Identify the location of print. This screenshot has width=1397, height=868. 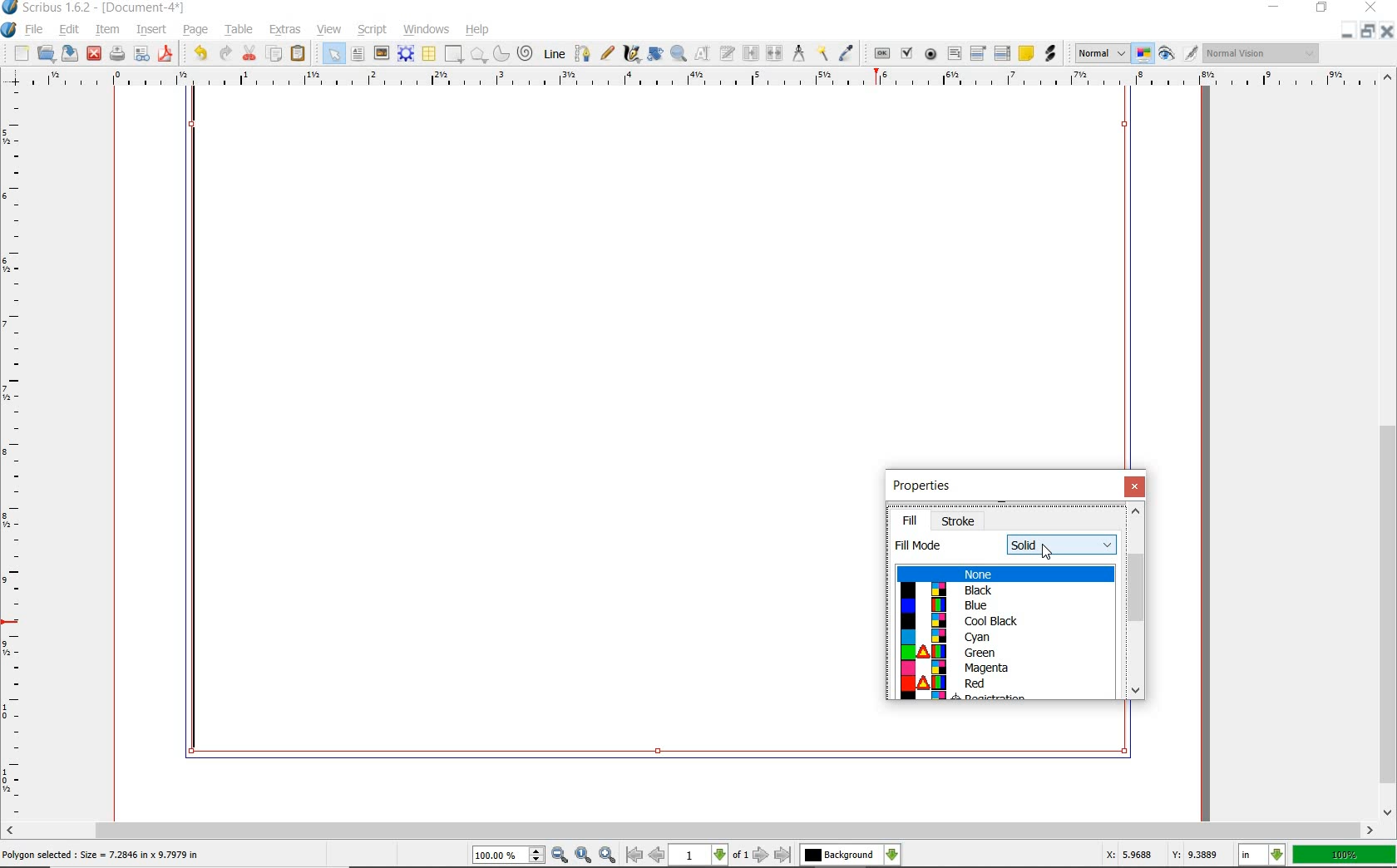
(116, 54).